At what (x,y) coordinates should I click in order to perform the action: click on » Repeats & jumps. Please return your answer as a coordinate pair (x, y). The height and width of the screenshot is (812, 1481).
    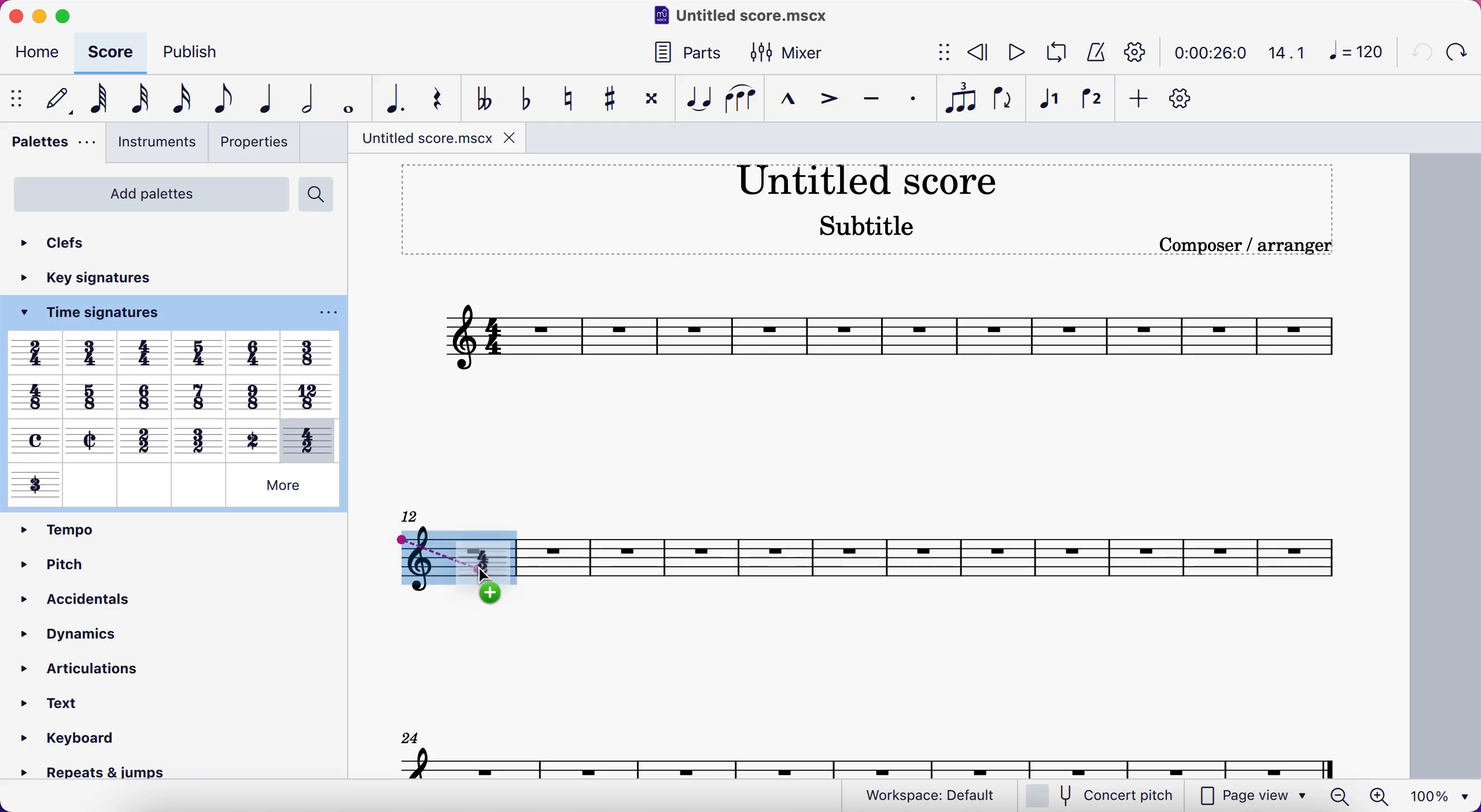
    Looking at the image, I should click on (83, 775).